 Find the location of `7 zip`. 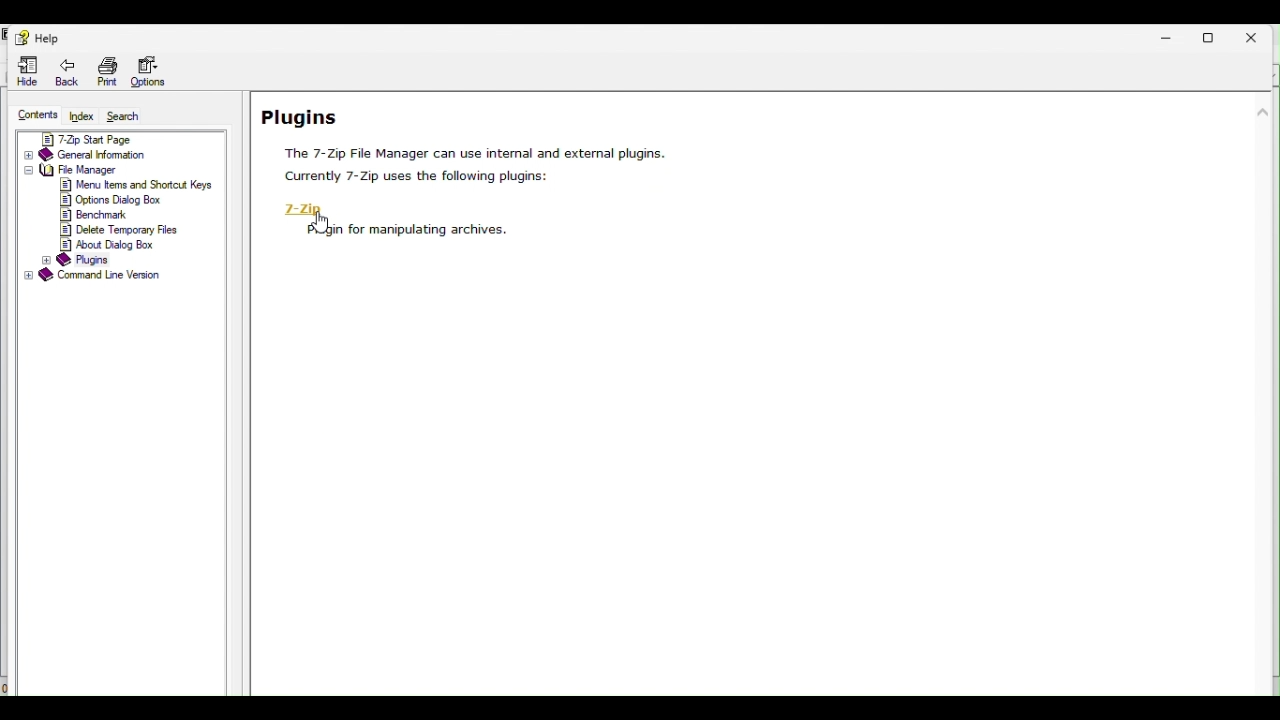

7 zip is located at coordinates (307, 208).